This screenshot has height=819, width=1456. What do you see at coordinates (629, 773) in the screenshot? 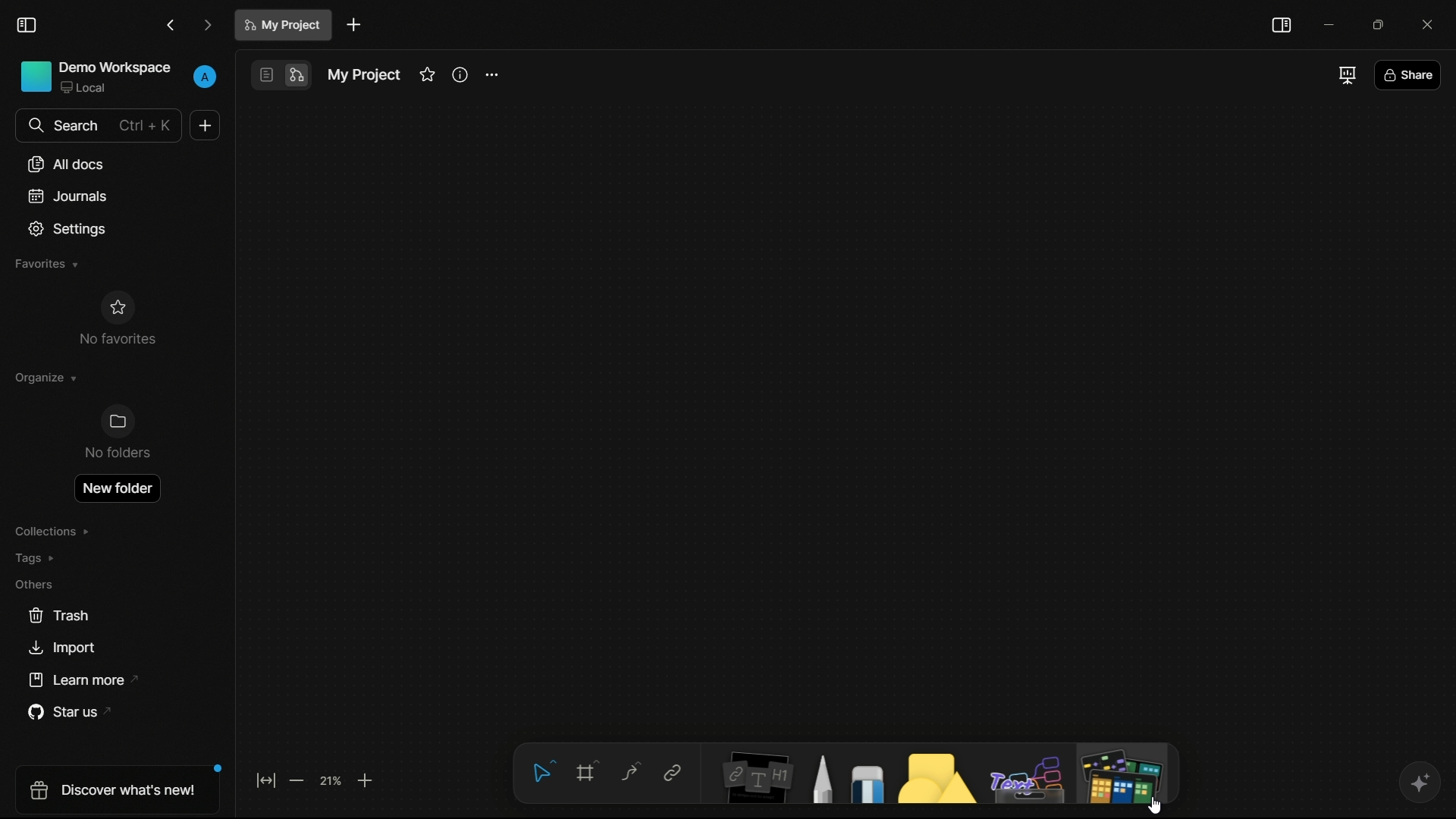
I see `connector` at bounding box center [629, 773].